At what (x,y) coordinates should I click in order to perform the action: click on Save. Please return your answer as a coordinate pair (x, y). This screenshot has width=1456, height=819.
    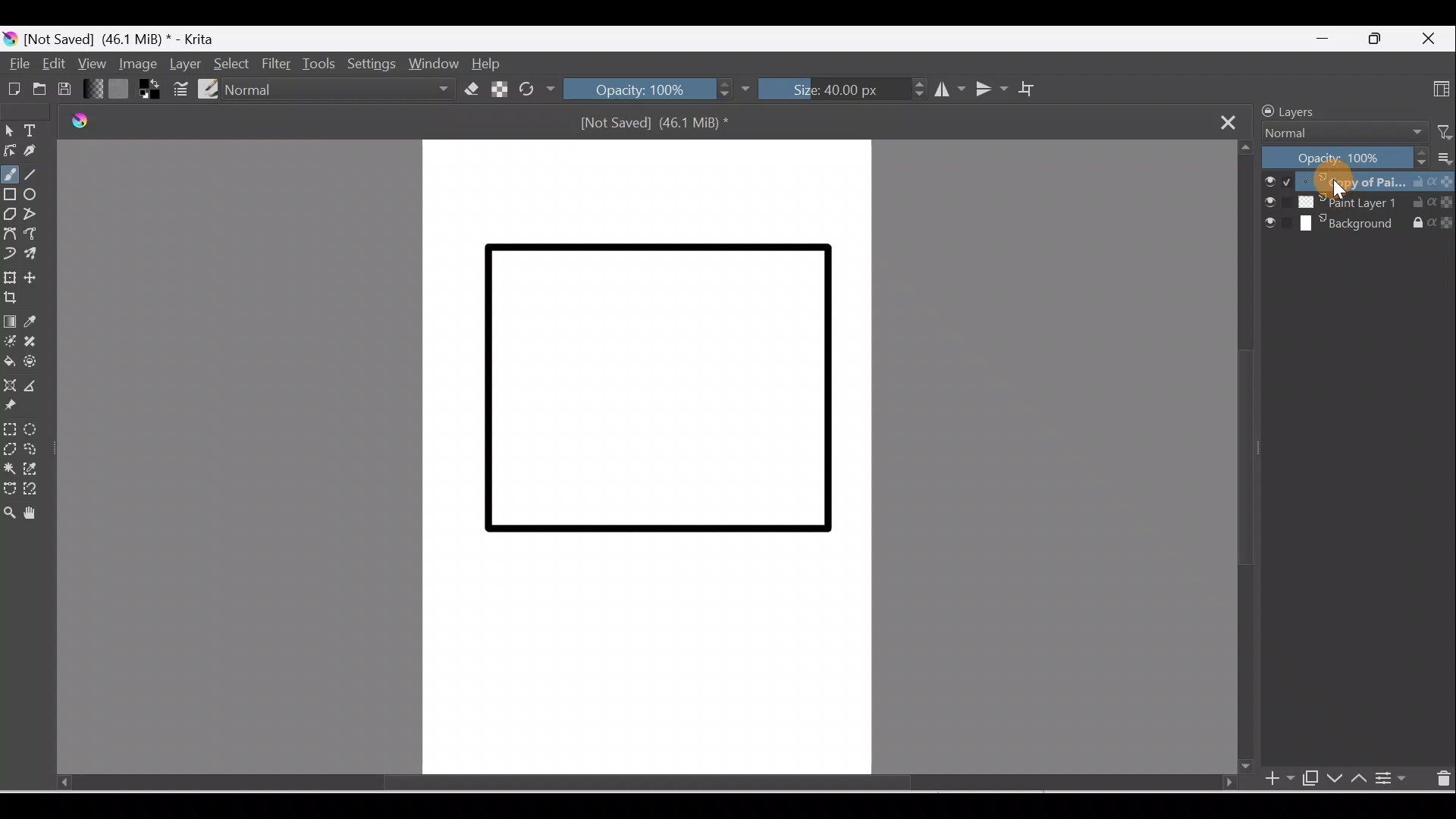
    Looking at the image, I should click on (69, 89).